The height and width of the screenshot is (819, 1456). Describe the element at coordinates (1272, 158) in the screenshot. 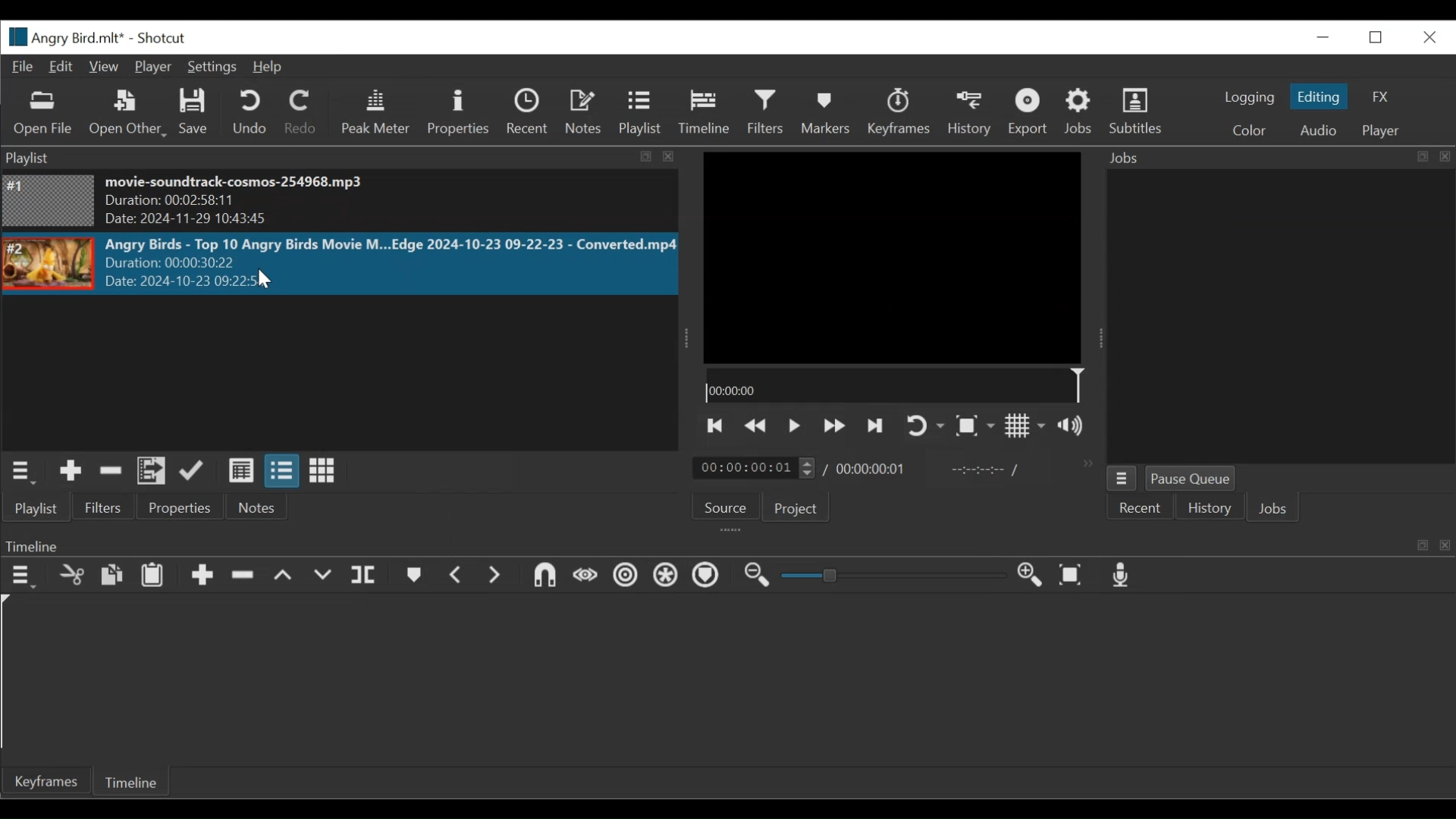

I see `Jobs Panel` at that location.